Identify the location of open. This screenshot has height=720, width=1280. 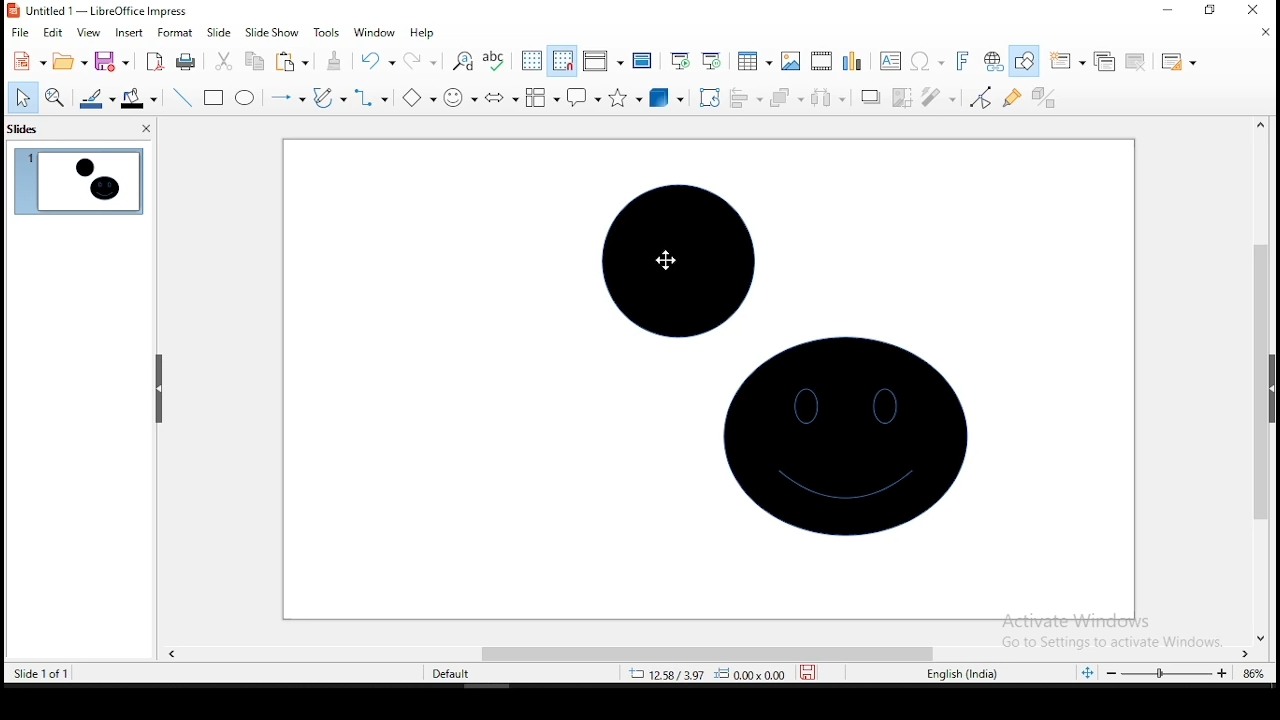
(68, 63).